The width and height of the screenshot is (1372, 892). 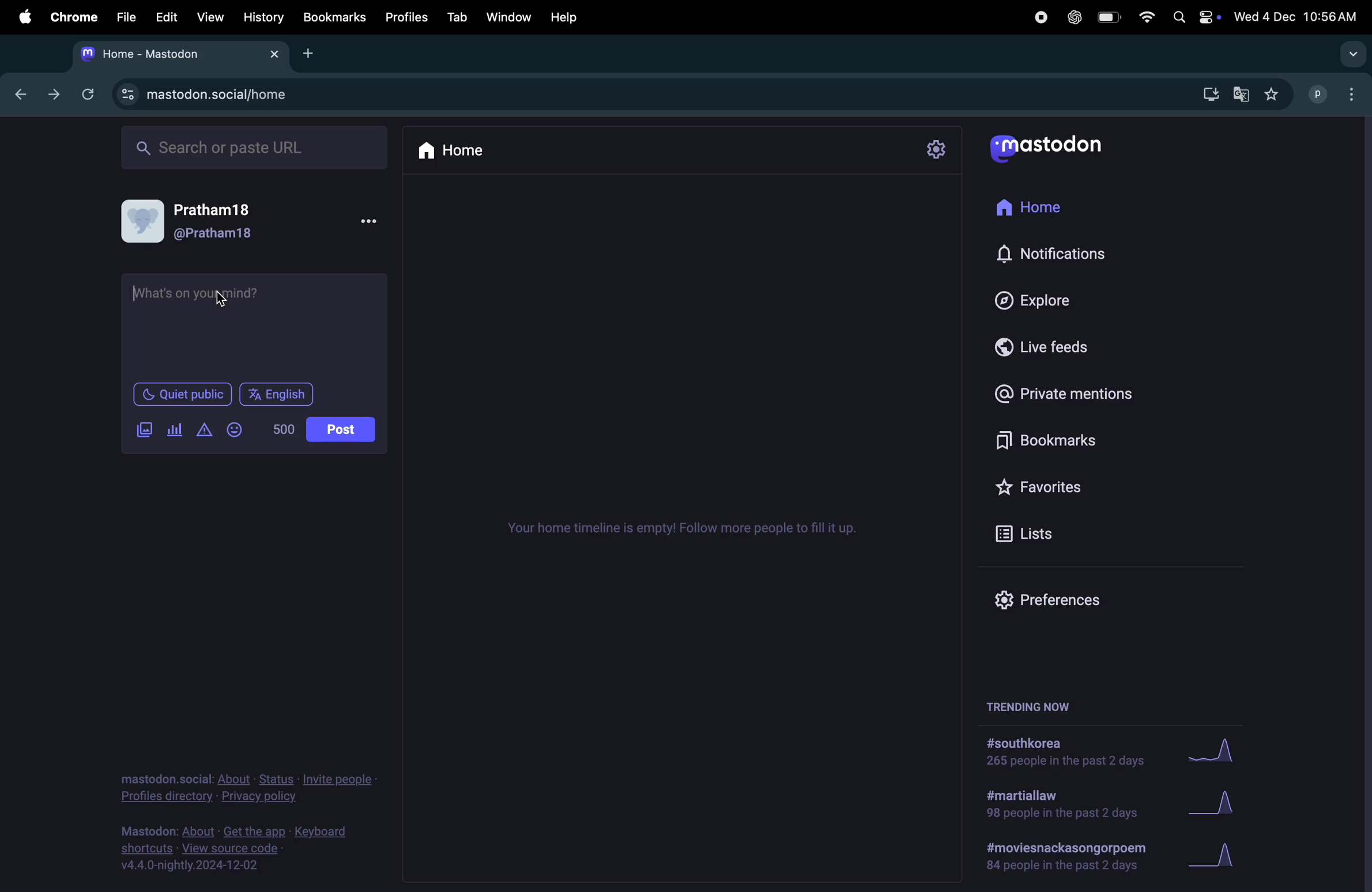 I want to click on Live feeds, so click(x=1053, y=345).